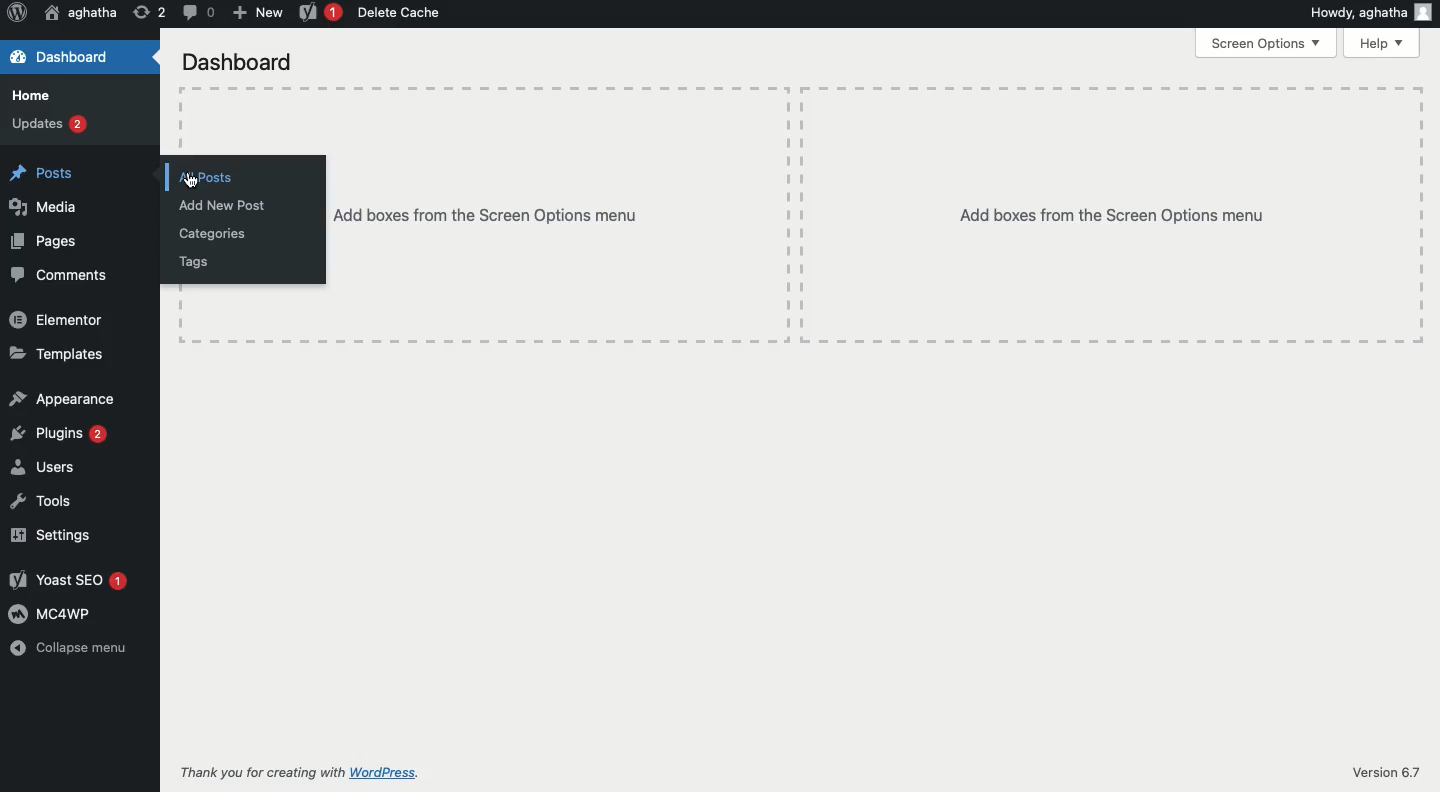  Describe the element at coordinates (46, 240) in the screenshot. I see `Pages` at that location.